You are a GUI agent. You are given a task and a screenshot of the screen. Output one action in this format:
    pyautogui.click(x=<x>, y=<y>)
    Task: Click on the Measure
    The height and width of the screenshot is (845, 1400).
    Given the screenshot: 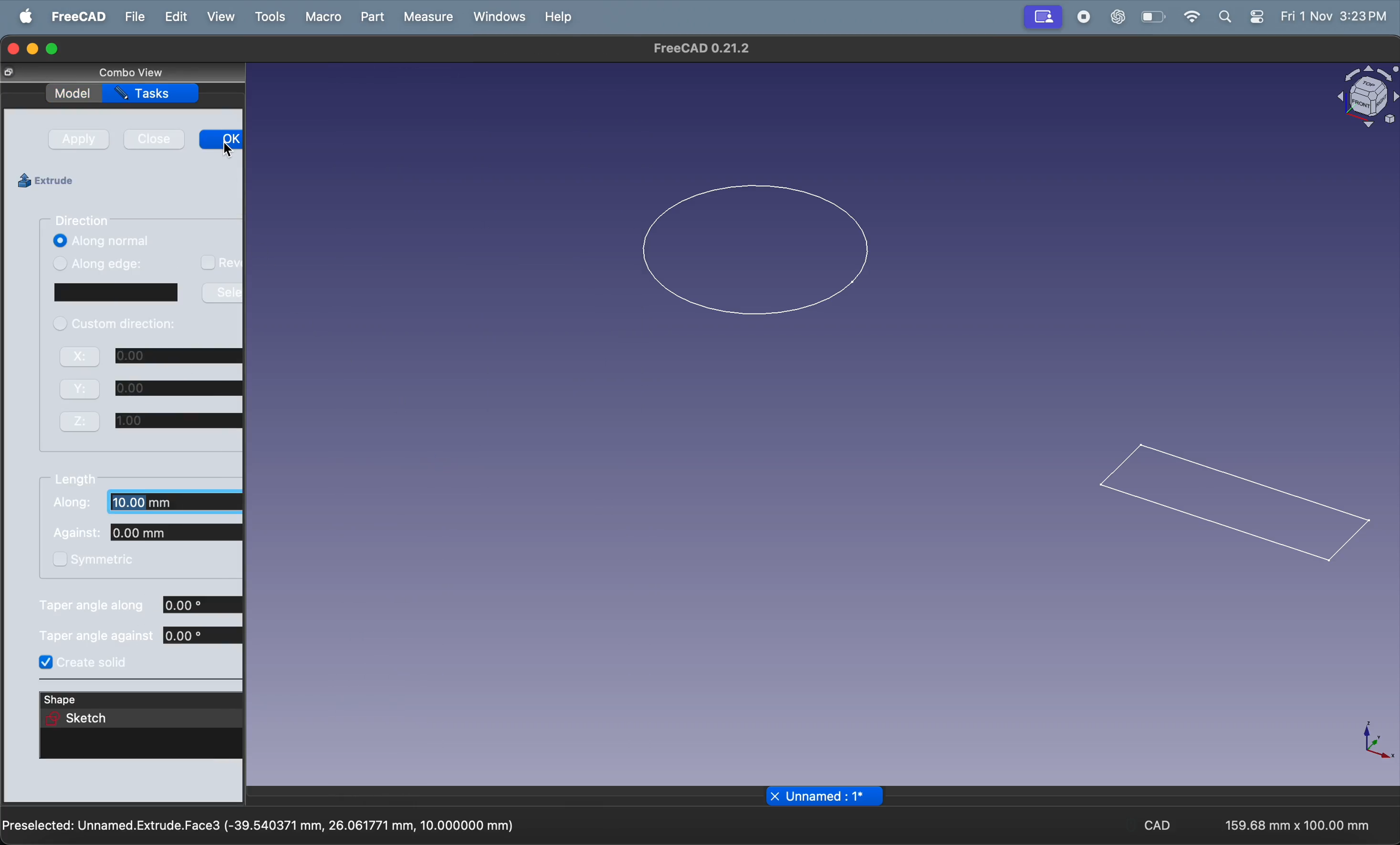 What is the action you would take?
    pyautogui.click(x=428, y=18)
    